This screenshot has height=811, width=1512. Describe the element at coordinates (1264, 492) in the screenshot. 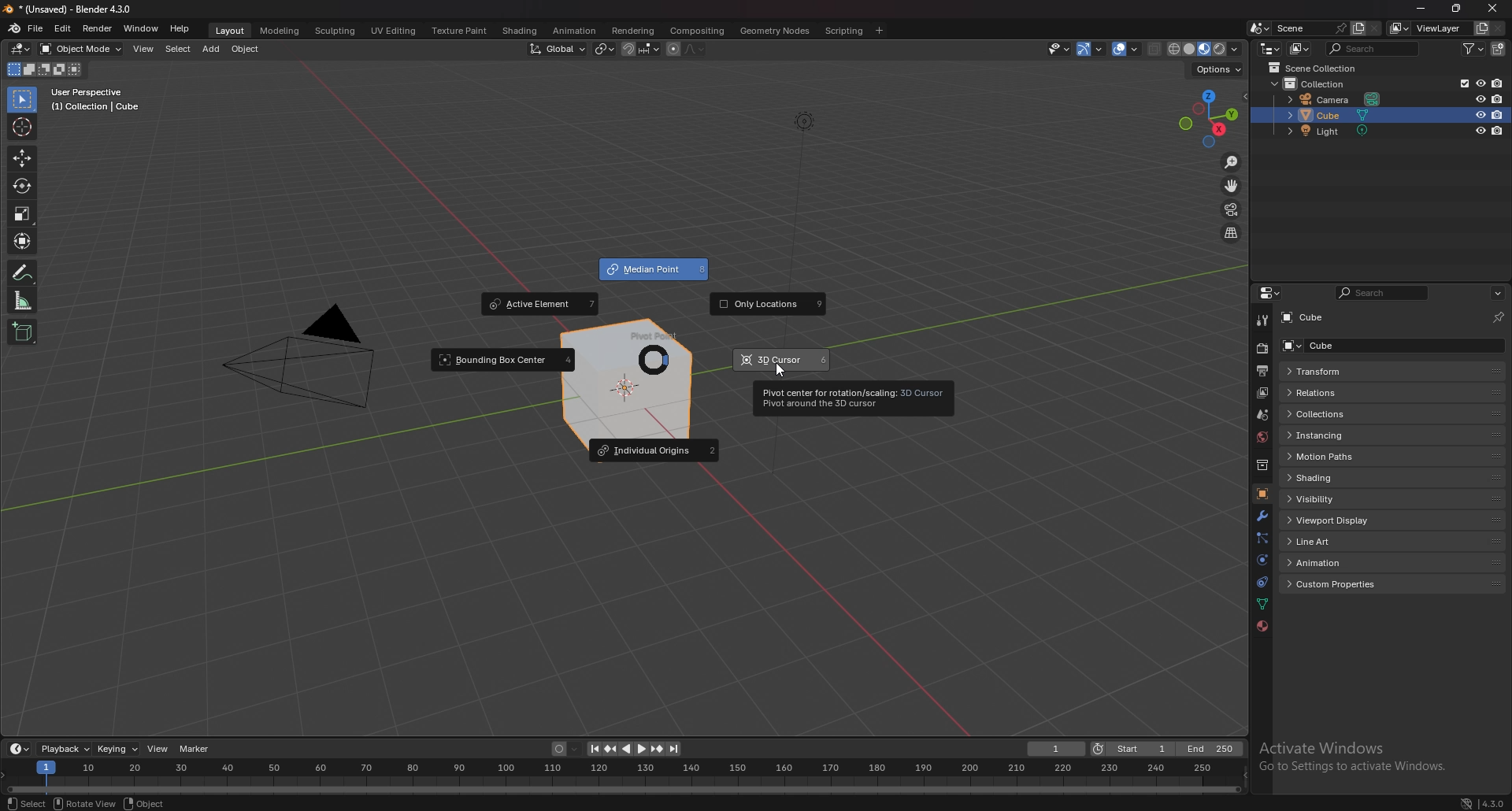

I see `object` at that location.